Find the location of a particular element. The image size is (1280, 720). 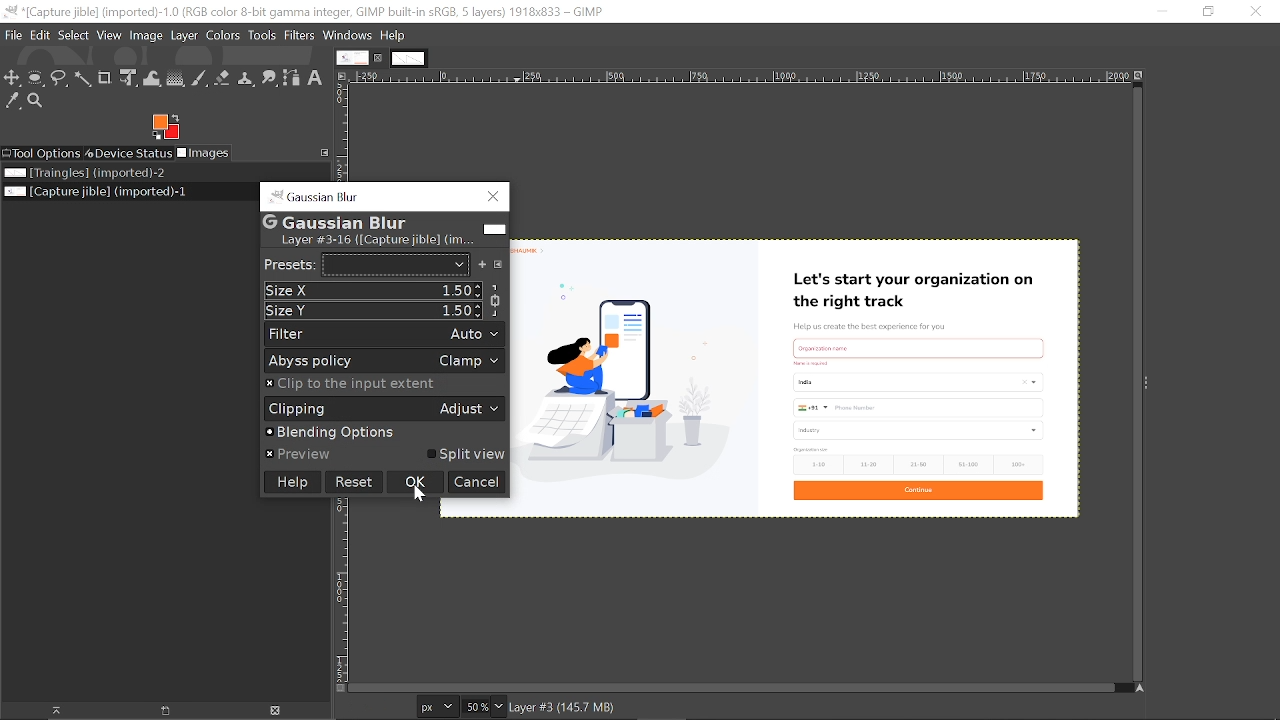

Minimize is located at coordinates (1162, 12).